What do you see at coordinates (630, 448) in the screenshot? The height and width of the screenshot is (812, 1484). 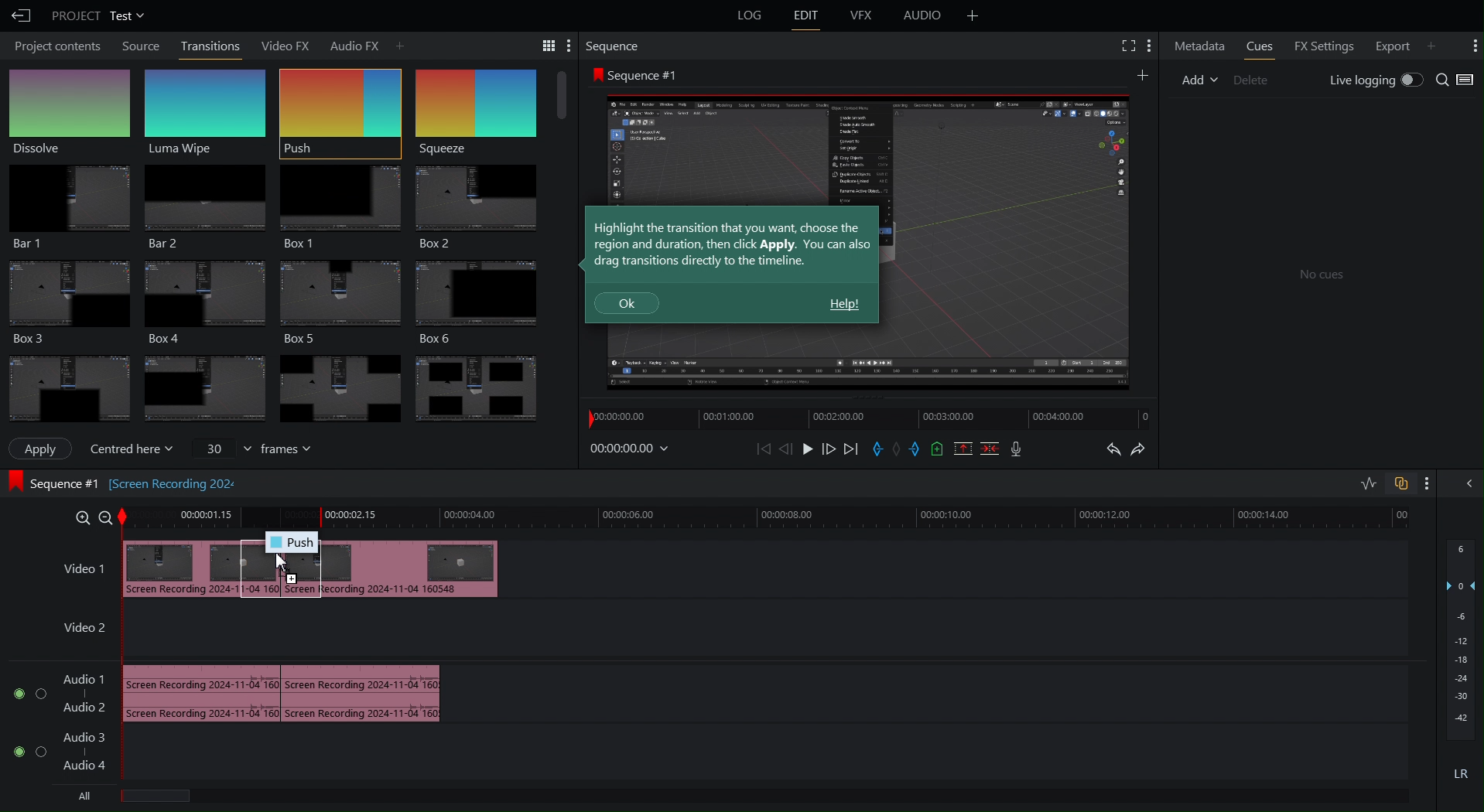 I see `Timestamp` at bounding box center [630, 448].